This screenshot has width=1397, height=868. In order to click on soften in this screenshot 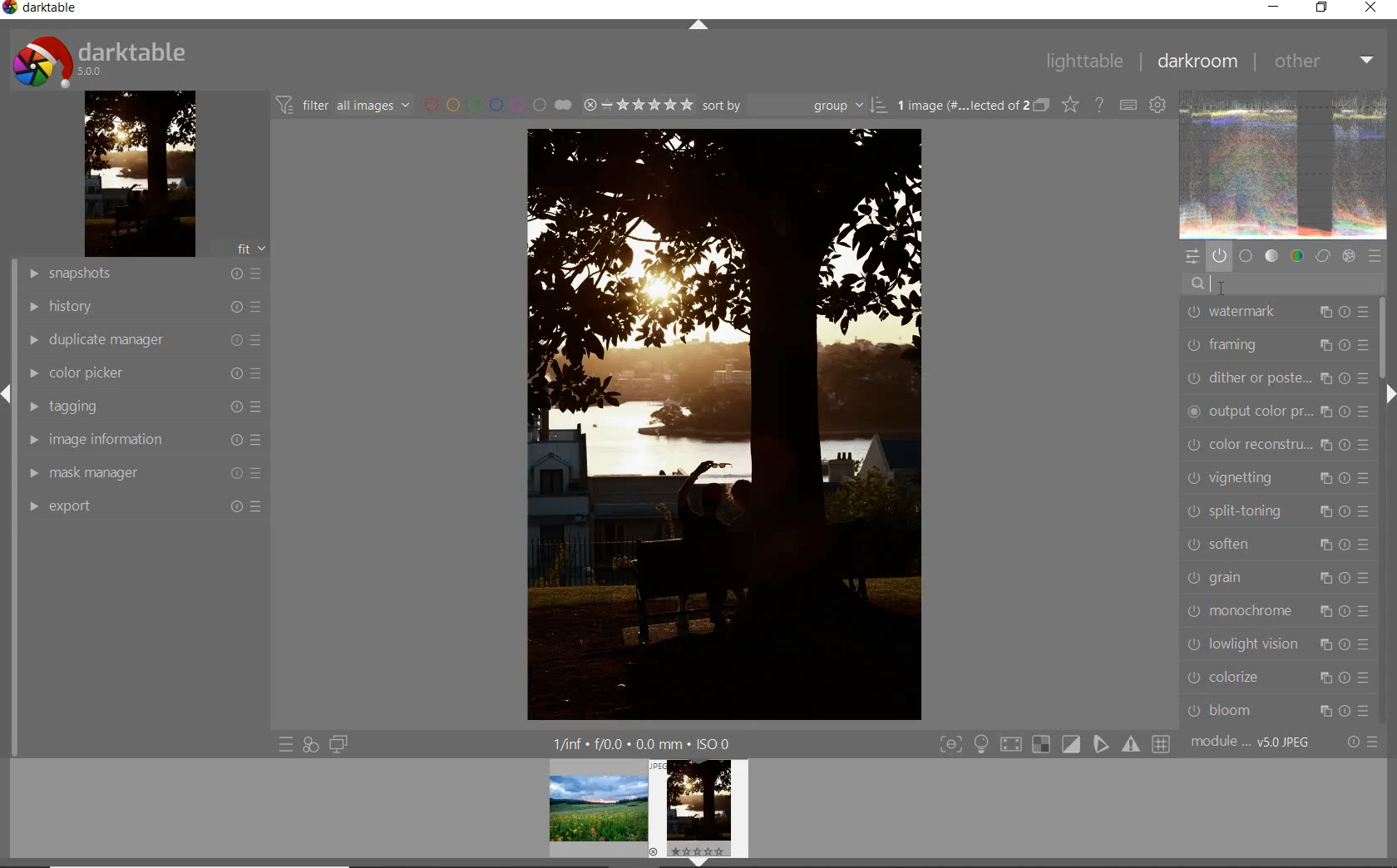, I will do `click(1276, 544)`.